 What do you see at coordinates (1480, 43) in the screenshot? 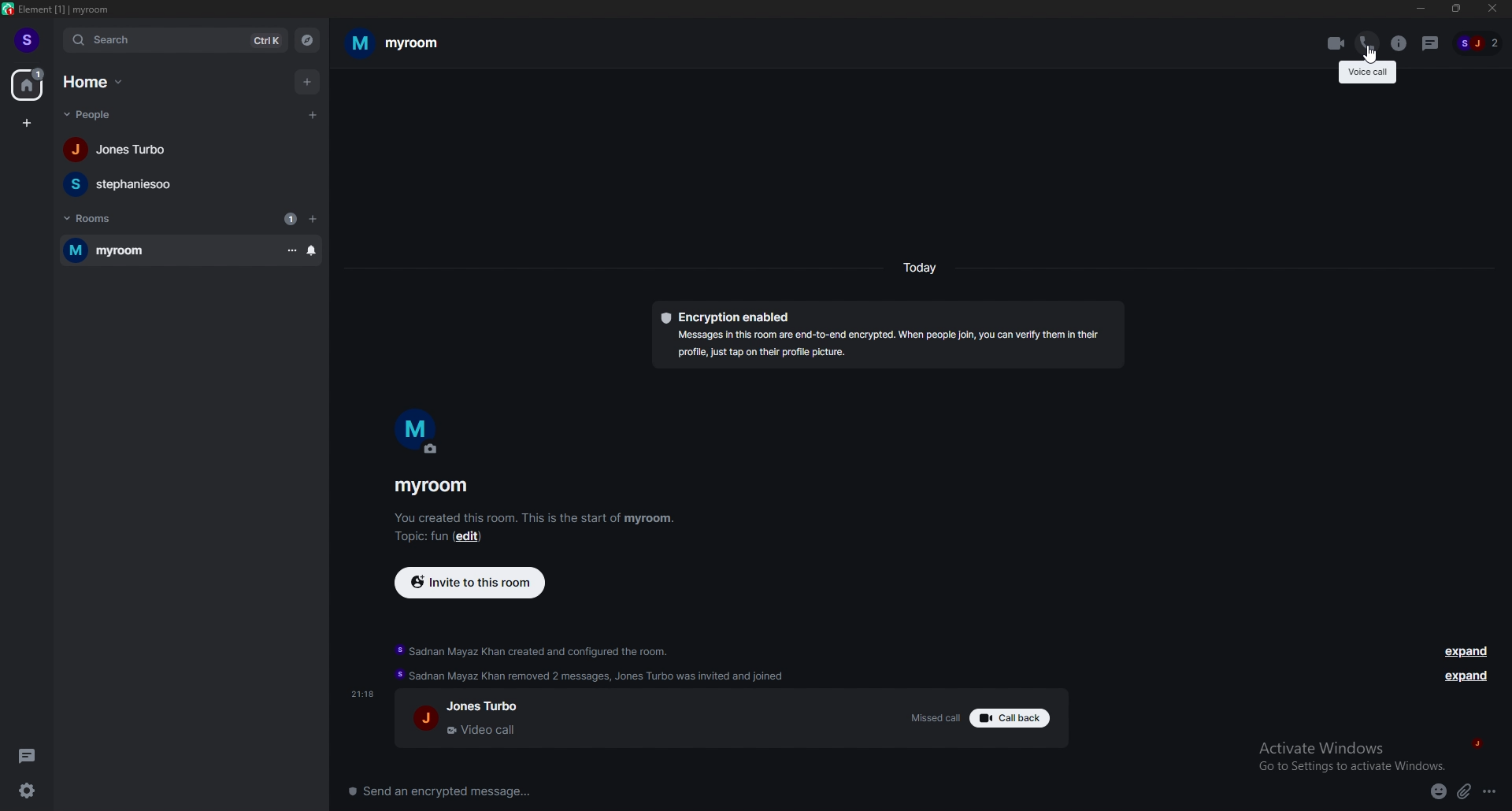
I see `people` at bounding box center [1480, 43].